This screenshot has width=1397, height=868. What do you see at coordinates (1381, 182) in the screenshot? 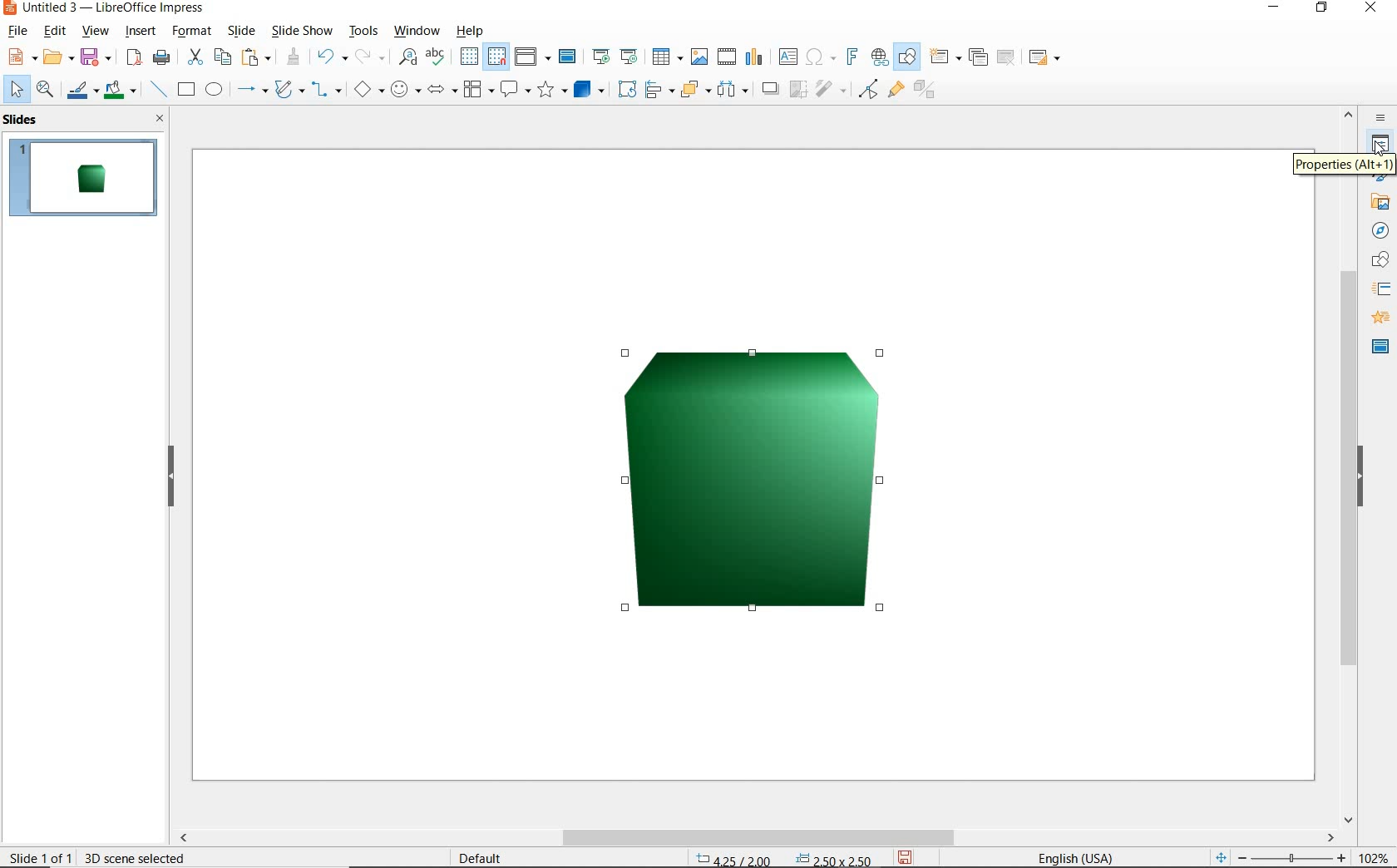
I see `STYLES` at bounding box center [1381, 182].